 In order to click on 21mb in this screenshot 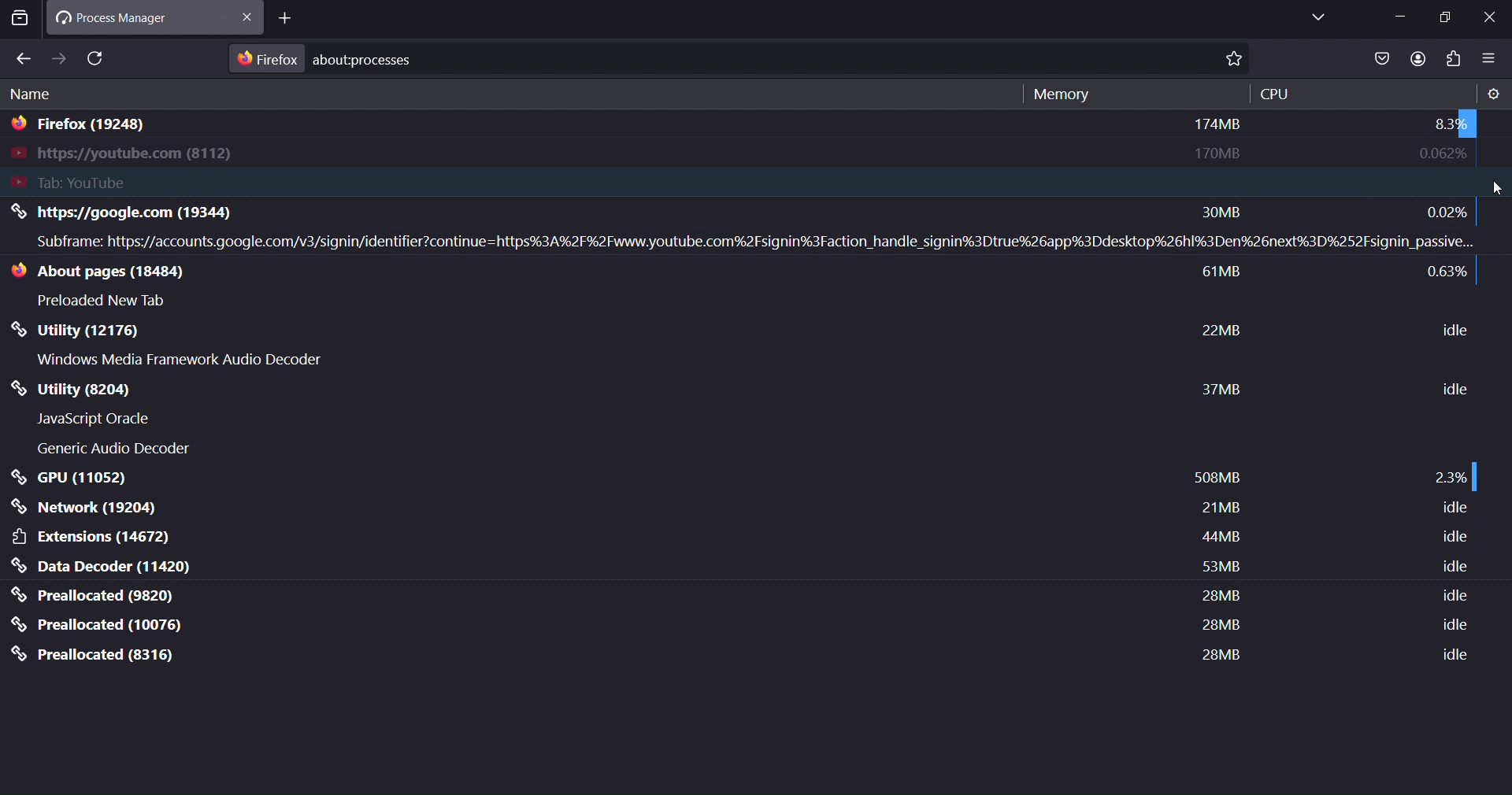, I will do `click(1220, 511)`.